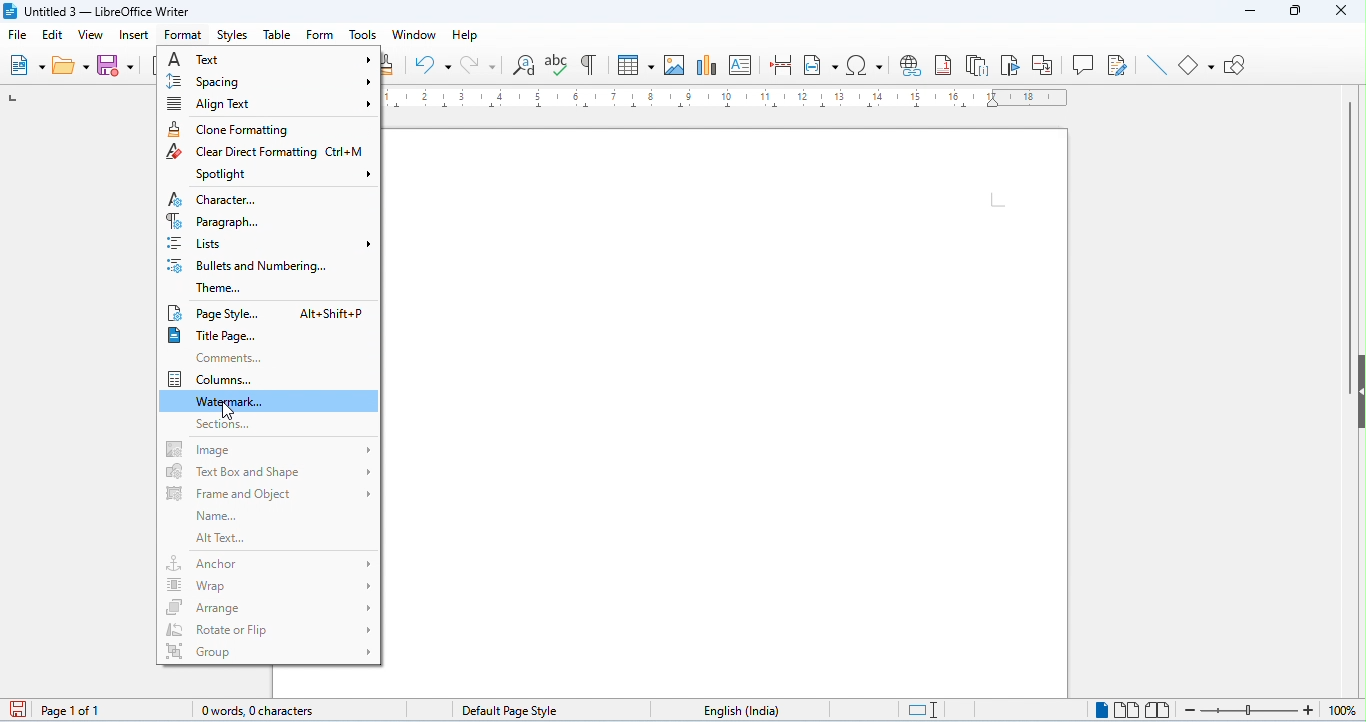 Image resolution: width=1366 pixels, height=722 pixels. Describe the element at coordinates (526, 66) in the screenshot. I see `find and replace` at that location.